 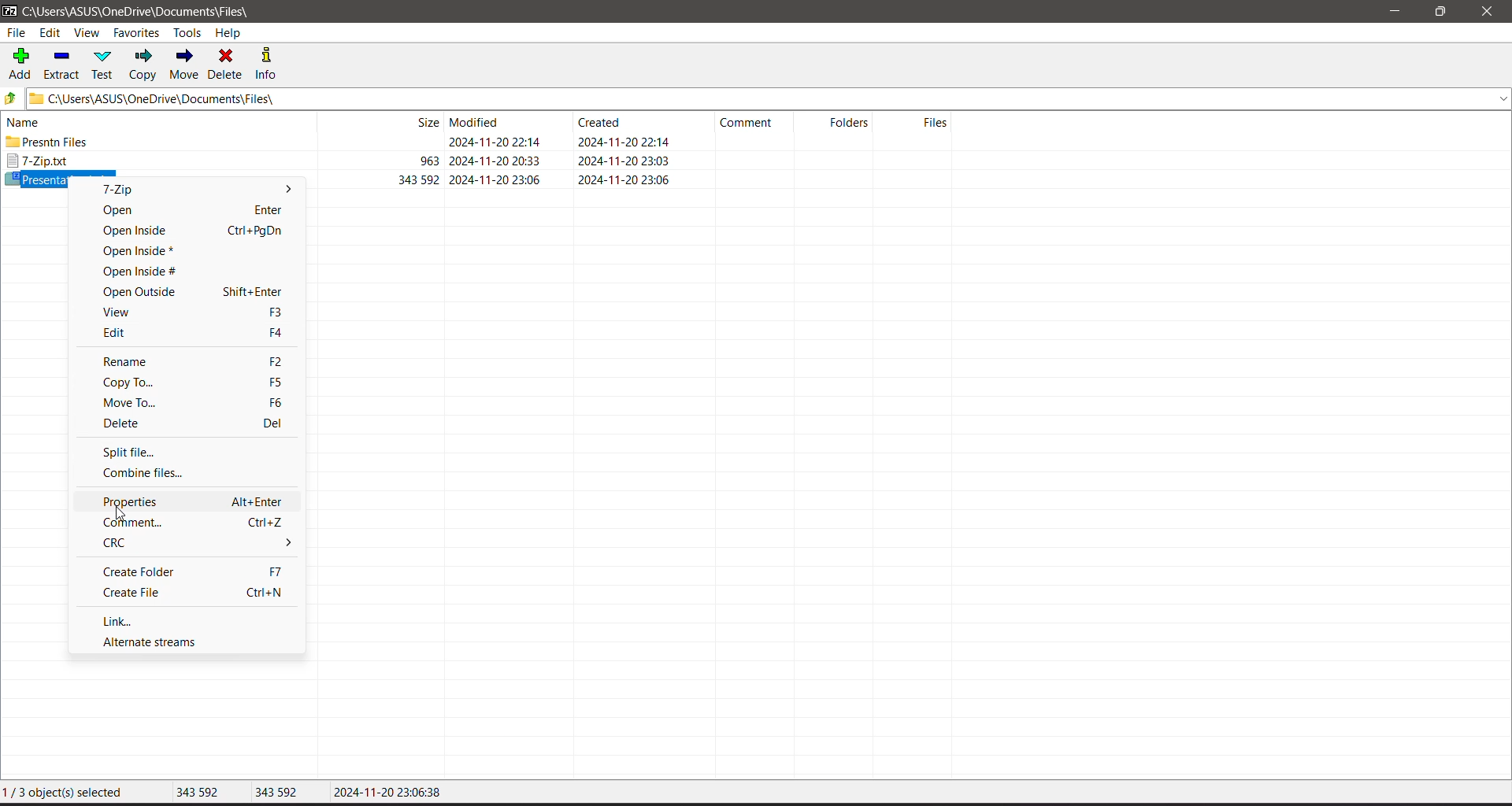 What do you see at coordinates (1442, 12) in the screenshot?
I see `Restore Down` at bounding box center [1442, 12].